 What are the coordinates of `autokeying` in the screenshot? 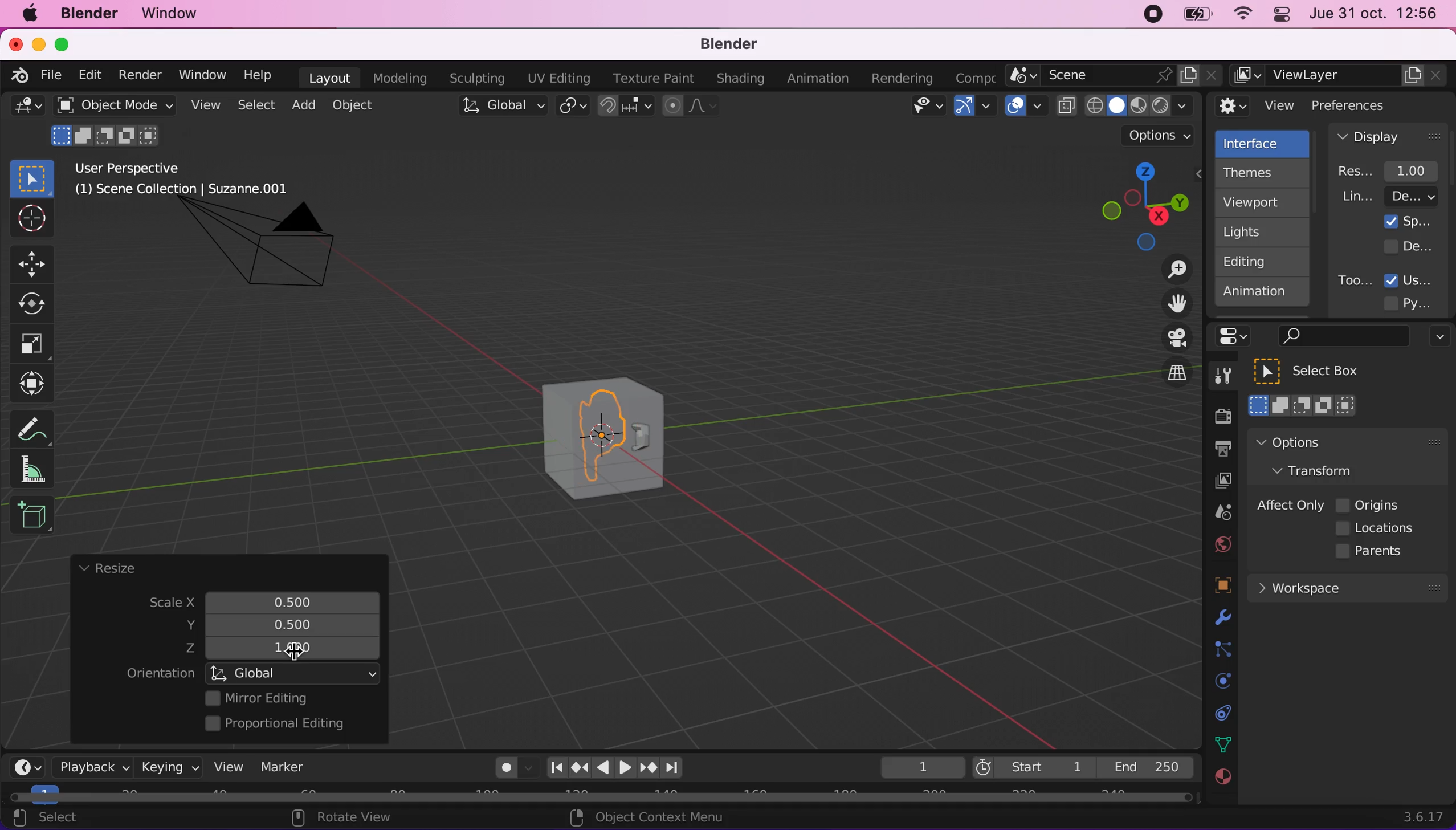 It's located at (507, 771).